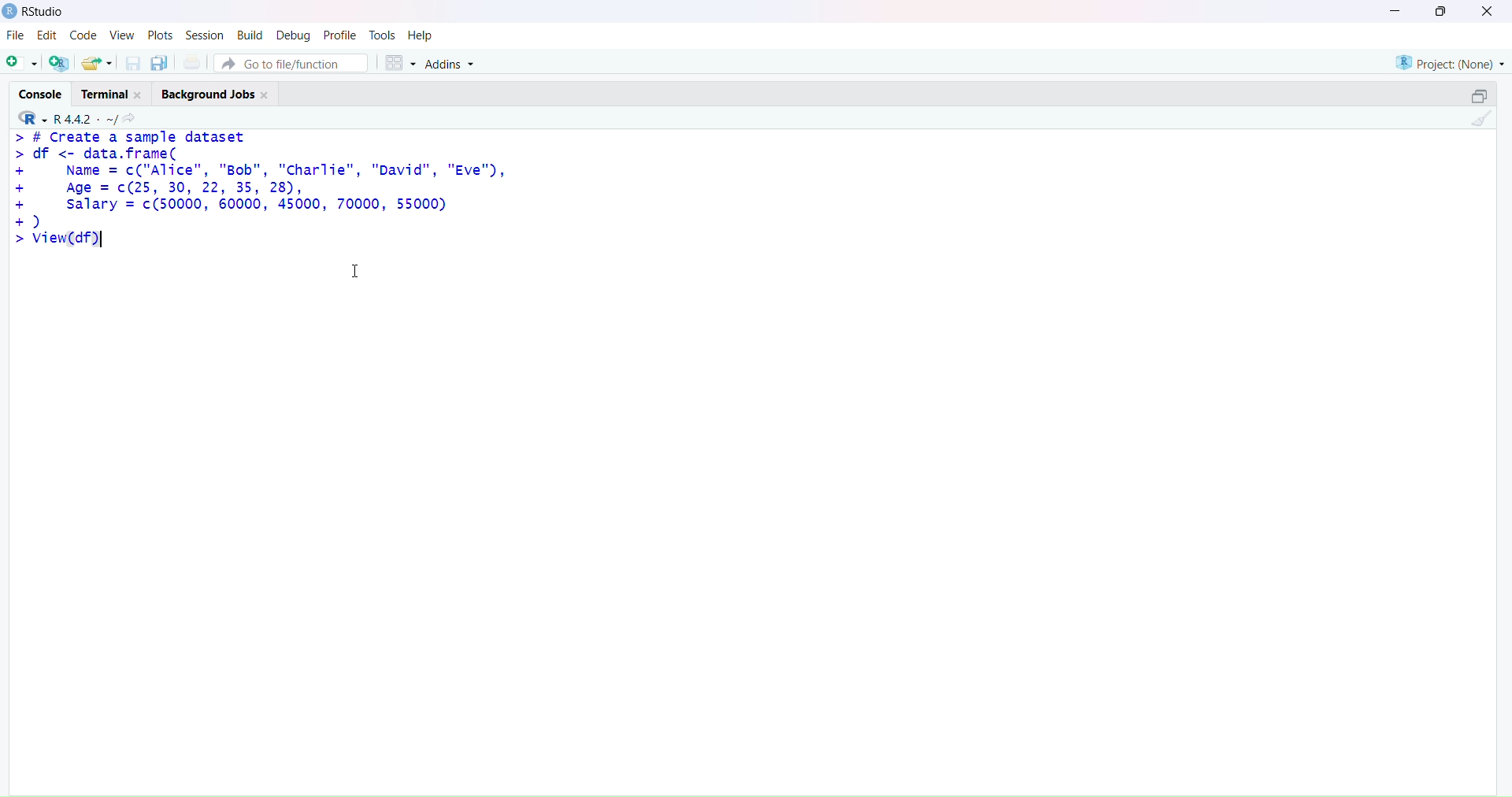 Image resolution: width=1512 pixels, height=797 pixels. What do you see at coordinates (251, 35) in the screenshot?
I see `build` at bounding box center [251, 35].